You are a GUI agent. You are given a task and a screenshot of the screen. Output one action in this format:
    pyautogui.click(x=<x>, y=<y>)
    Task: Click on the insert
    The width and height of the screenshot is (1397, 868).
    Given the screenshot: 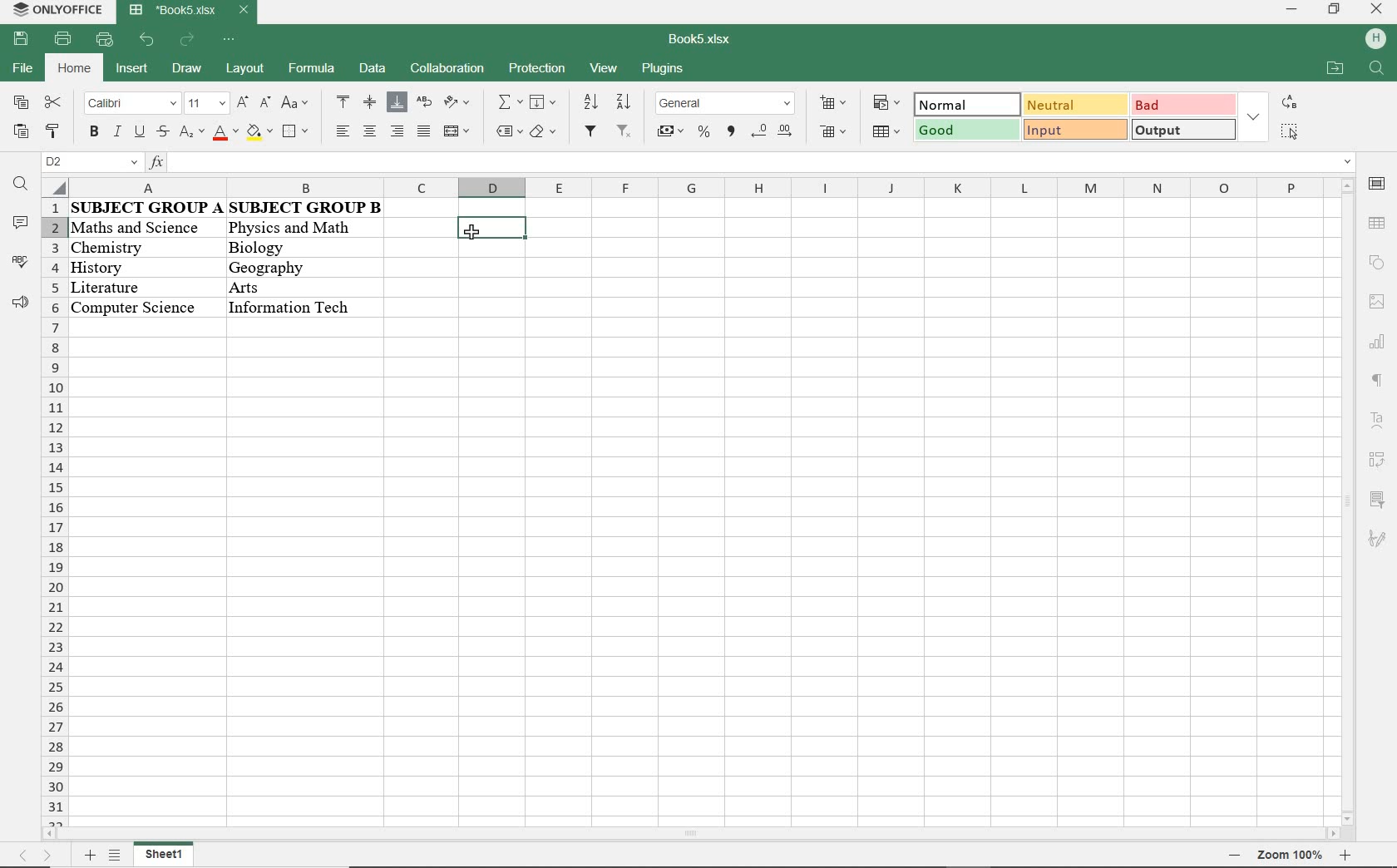 What is the action you would take?
    pyautogui.click(x=135, y=70)
    